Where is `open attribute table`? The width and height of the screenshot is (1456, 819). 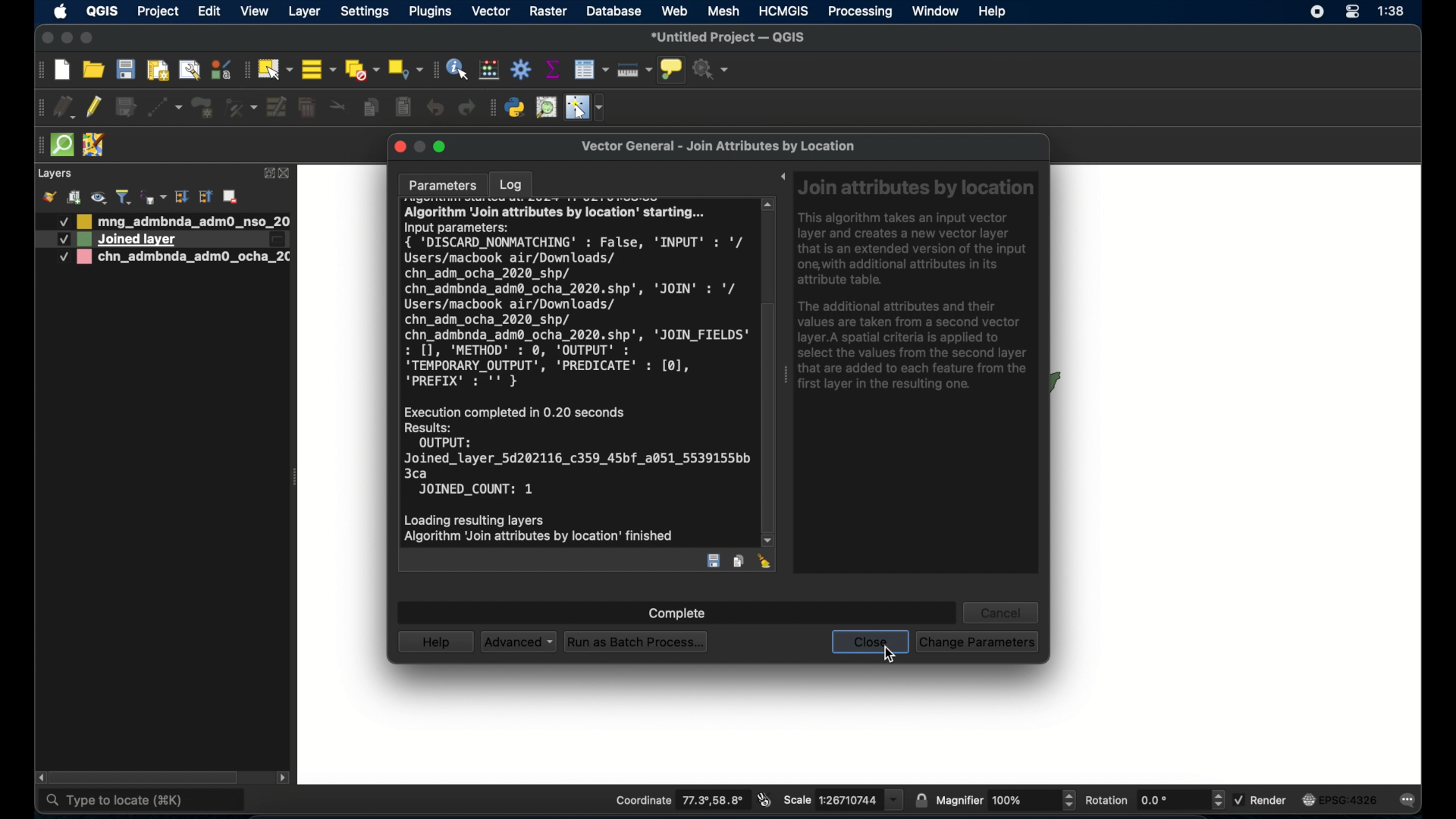
open attribute table is located at coordinates (591, 69).